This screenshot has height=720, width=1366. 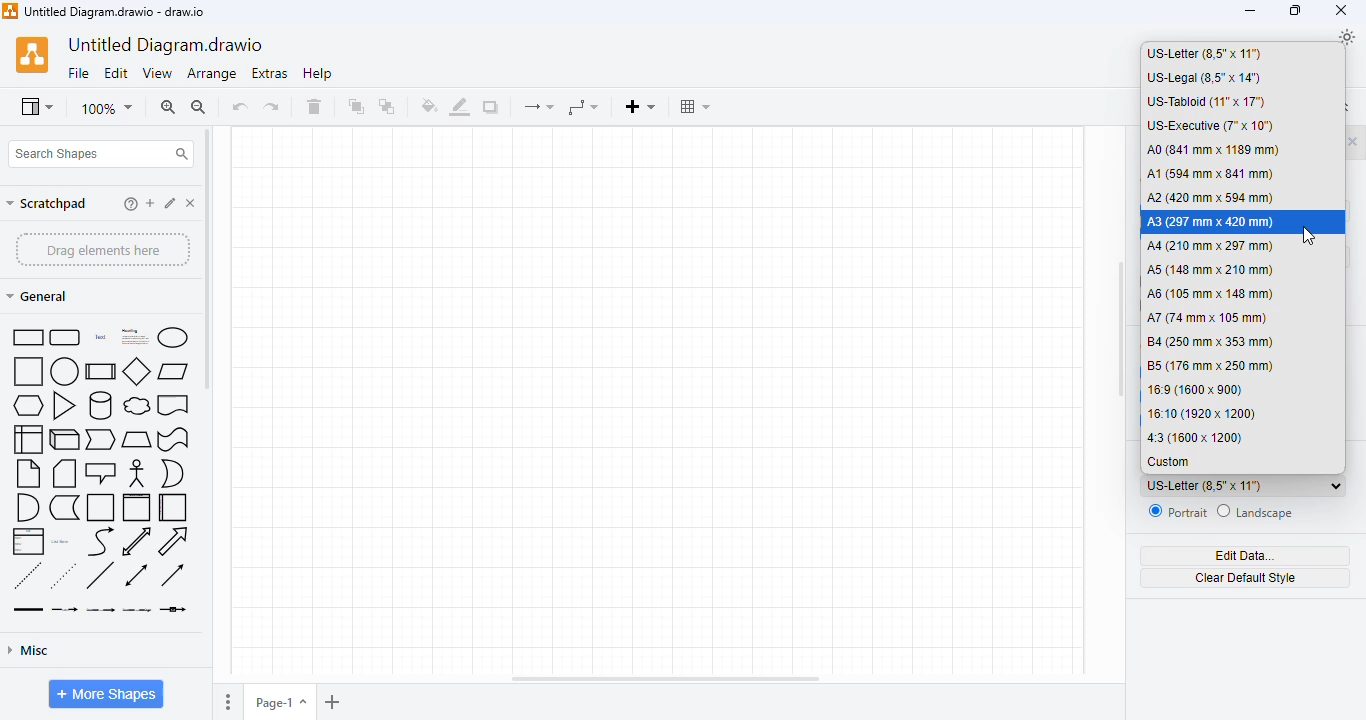 I want to click on Cursor, so click(x=1310, y=236).